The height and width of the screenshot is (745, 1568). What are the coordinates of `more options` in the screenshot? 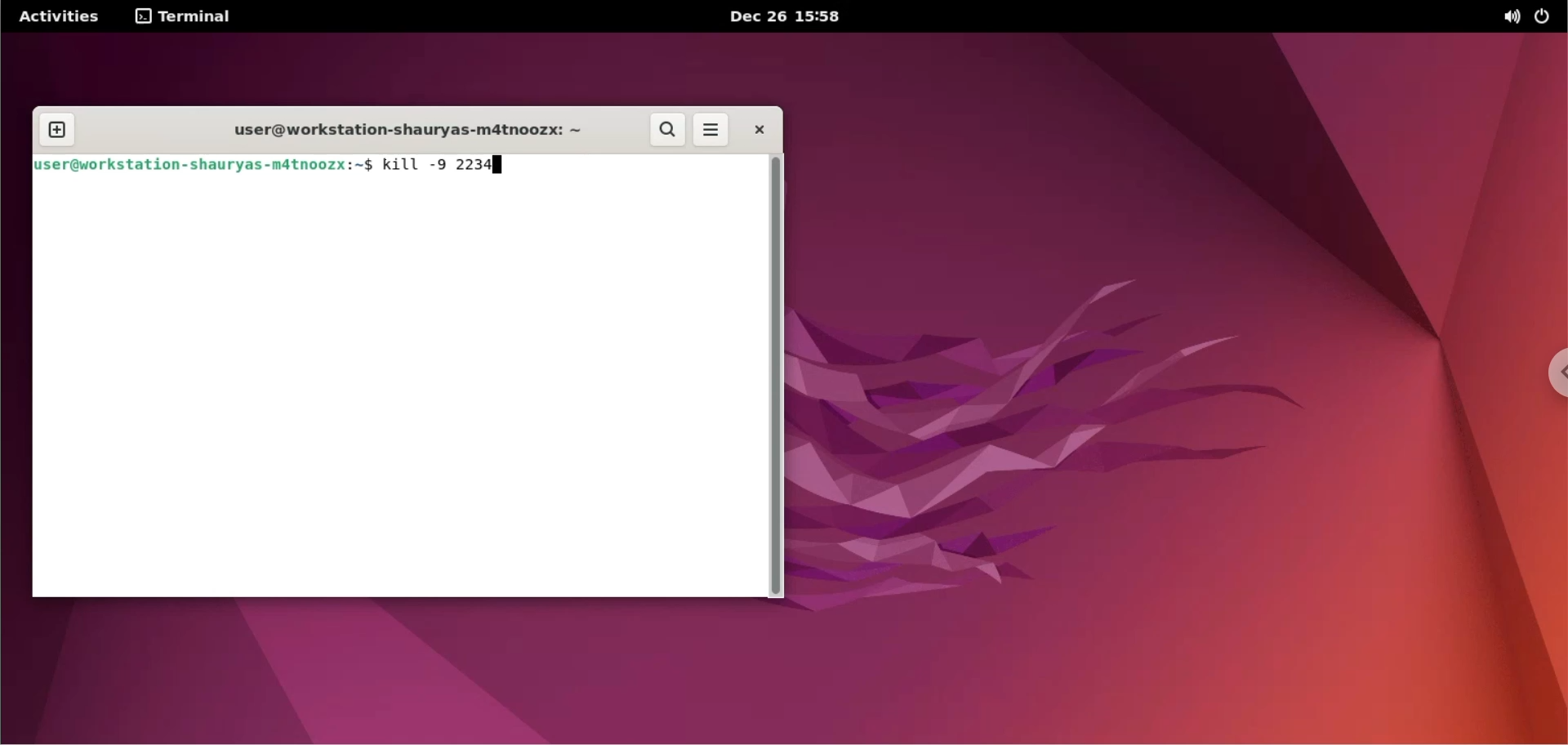 It's located at (714, 132).